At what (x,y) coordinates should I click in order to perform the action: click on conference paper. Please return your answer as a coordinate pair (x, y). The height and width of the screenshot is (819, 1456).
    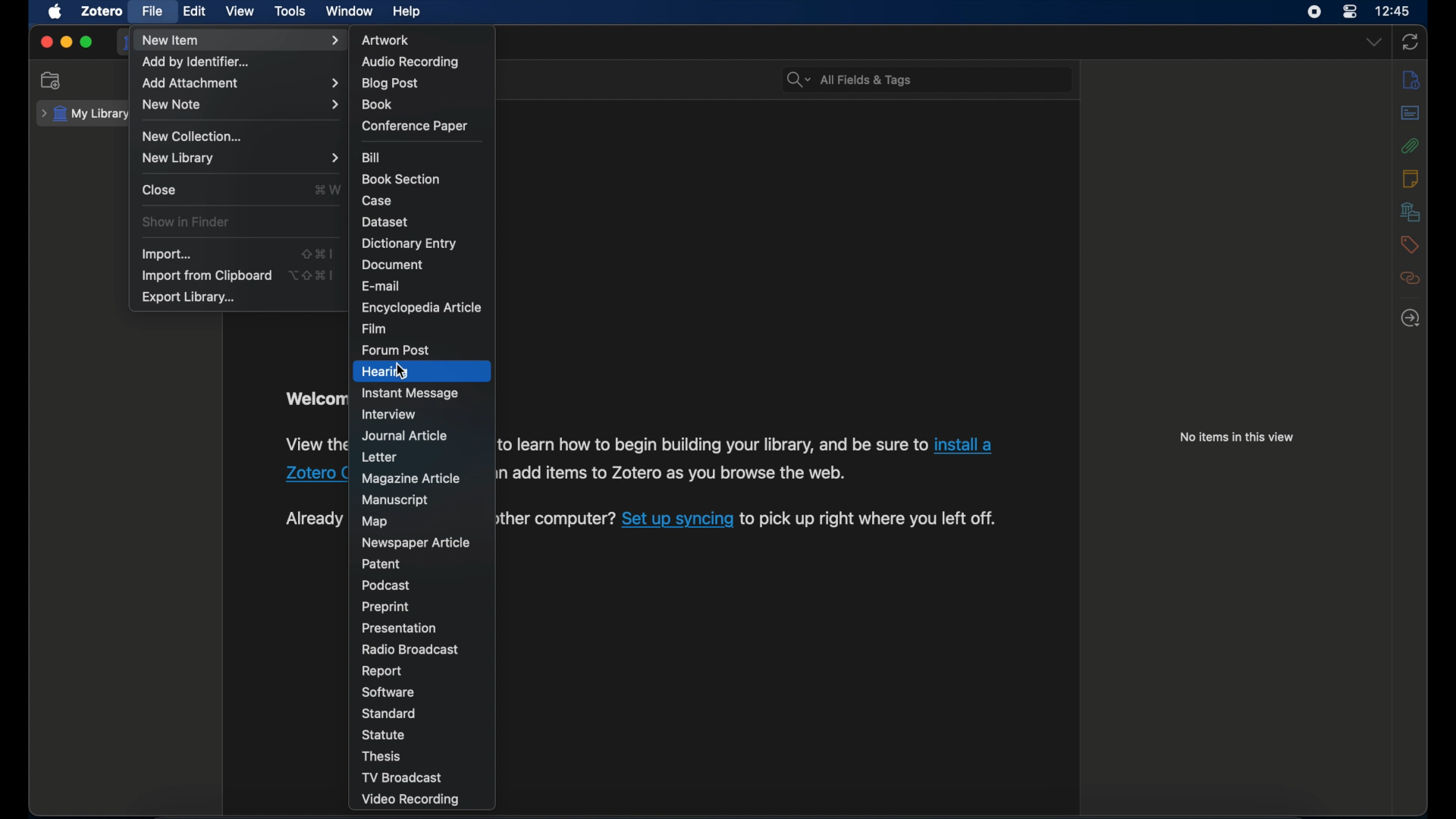
    Looking at the image, I should click on (414, 125).